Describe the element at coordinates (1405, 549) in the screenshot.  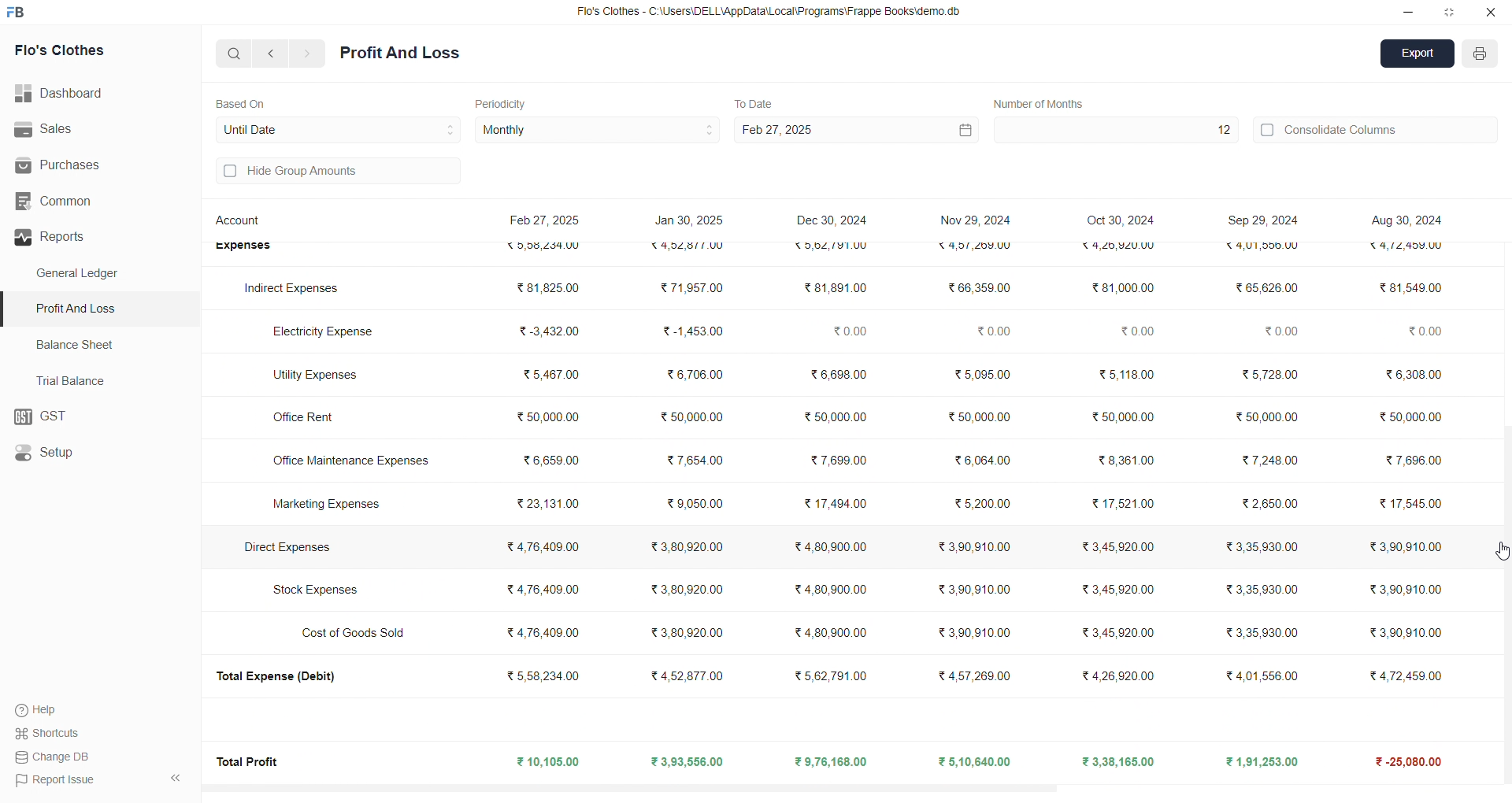
I see `₹3,90,910.00` at that location.